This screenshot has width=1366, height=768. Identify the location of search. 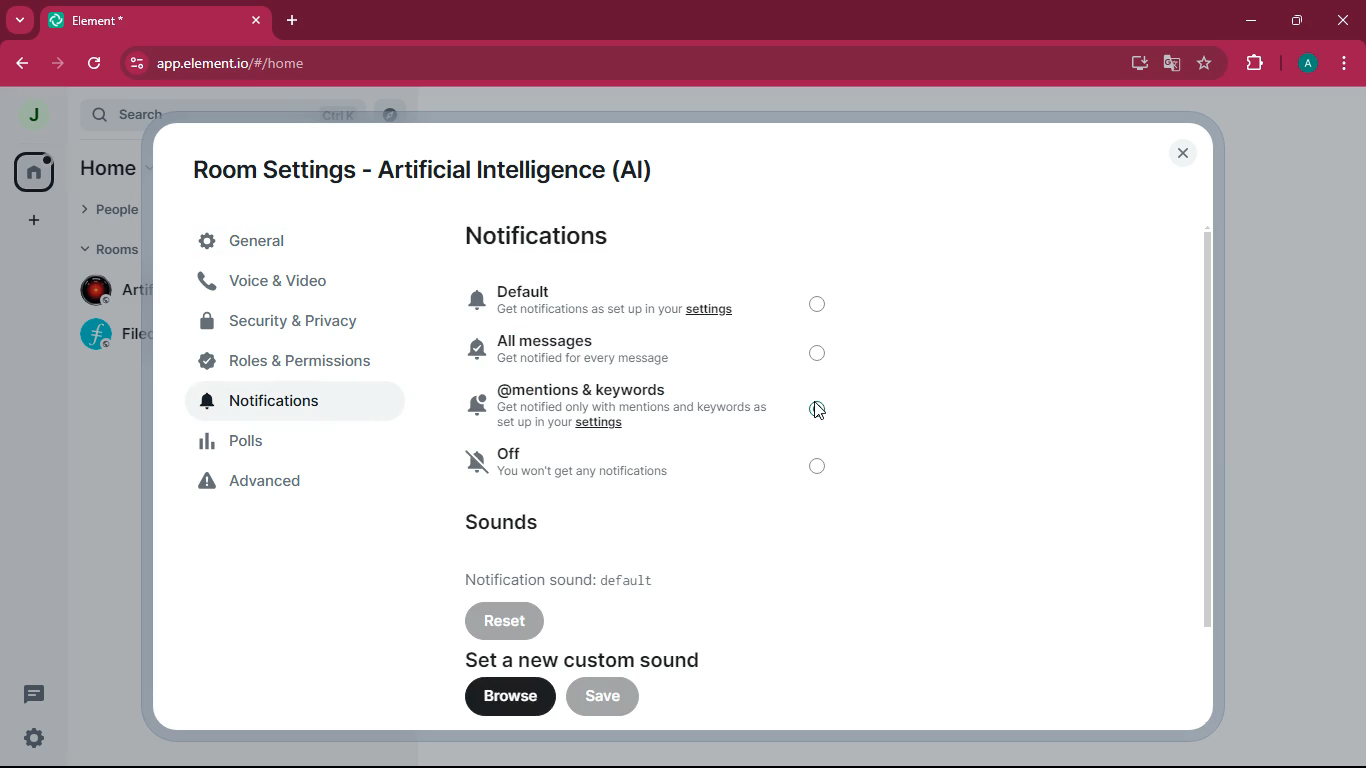
(392, 114).